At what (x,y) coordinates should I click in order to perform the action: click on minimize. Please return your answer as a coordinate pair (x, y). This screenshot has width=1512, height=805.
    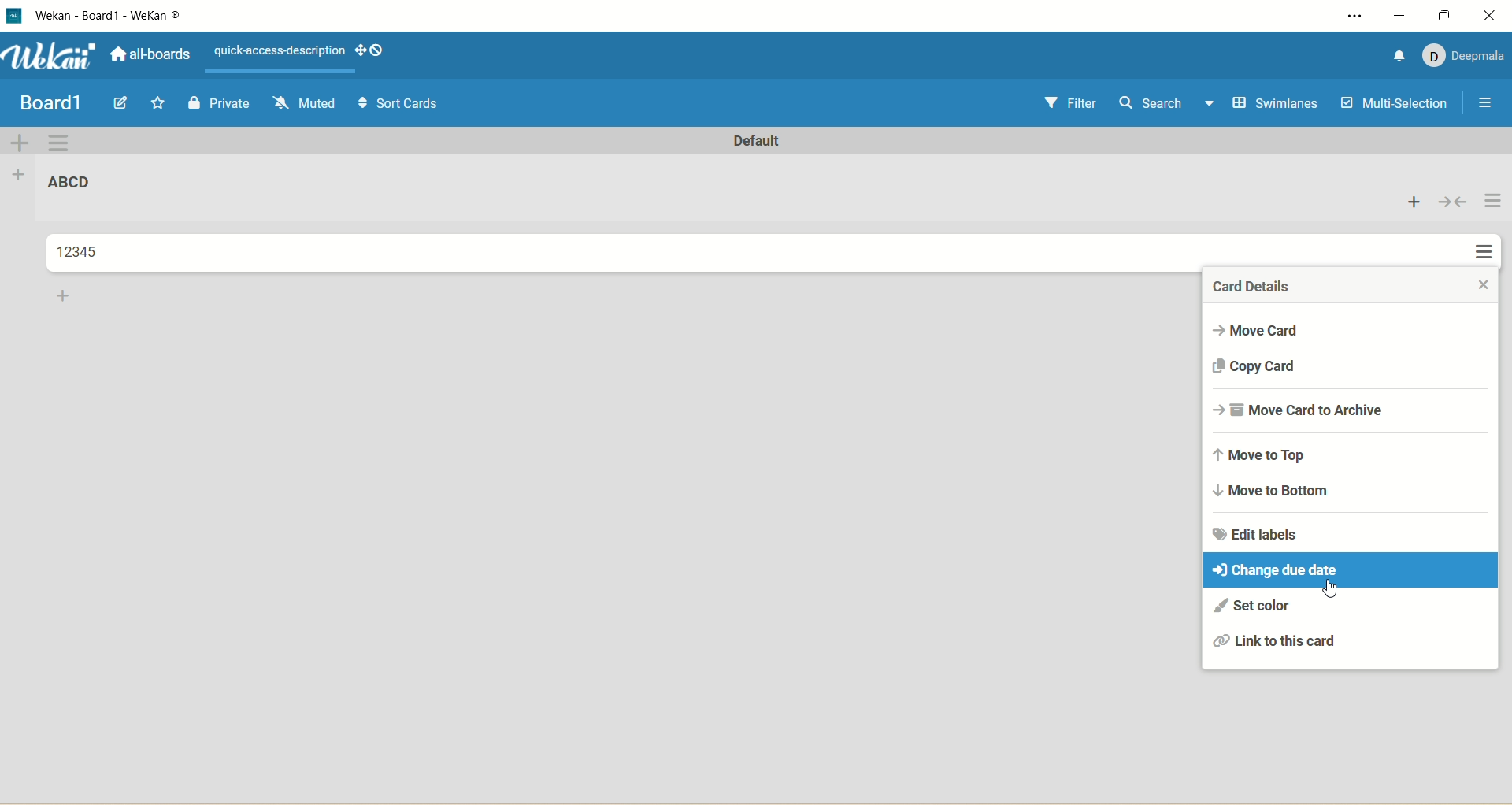
    Looking at the image, I should click on (1401, 17).